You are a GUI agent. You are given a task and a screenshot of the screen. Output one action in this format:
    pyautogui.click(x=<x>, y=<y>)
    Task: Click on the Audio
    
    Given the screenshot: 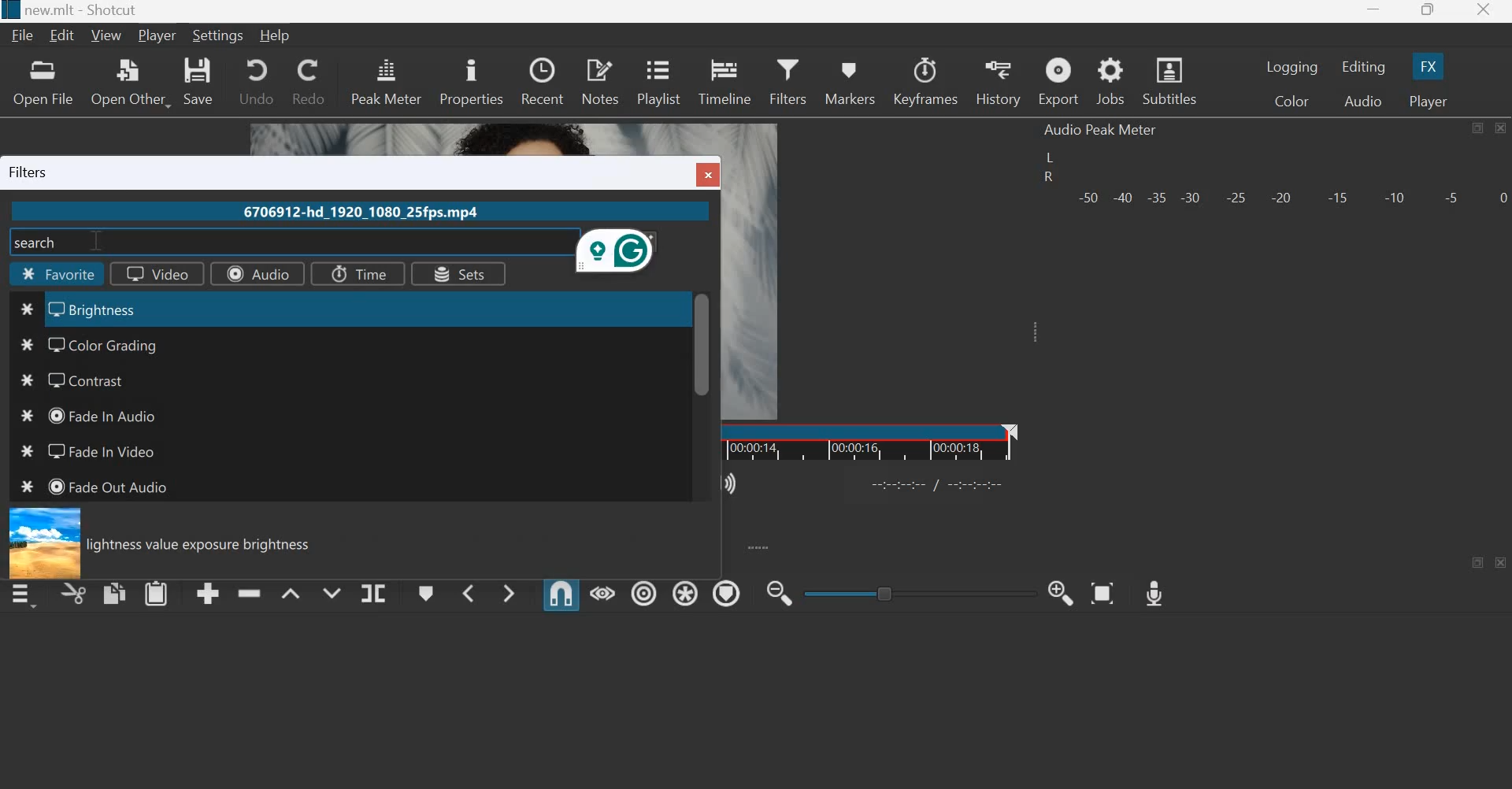 What is the action you would take?
    pyautogui.click(x=256, y=273)
    